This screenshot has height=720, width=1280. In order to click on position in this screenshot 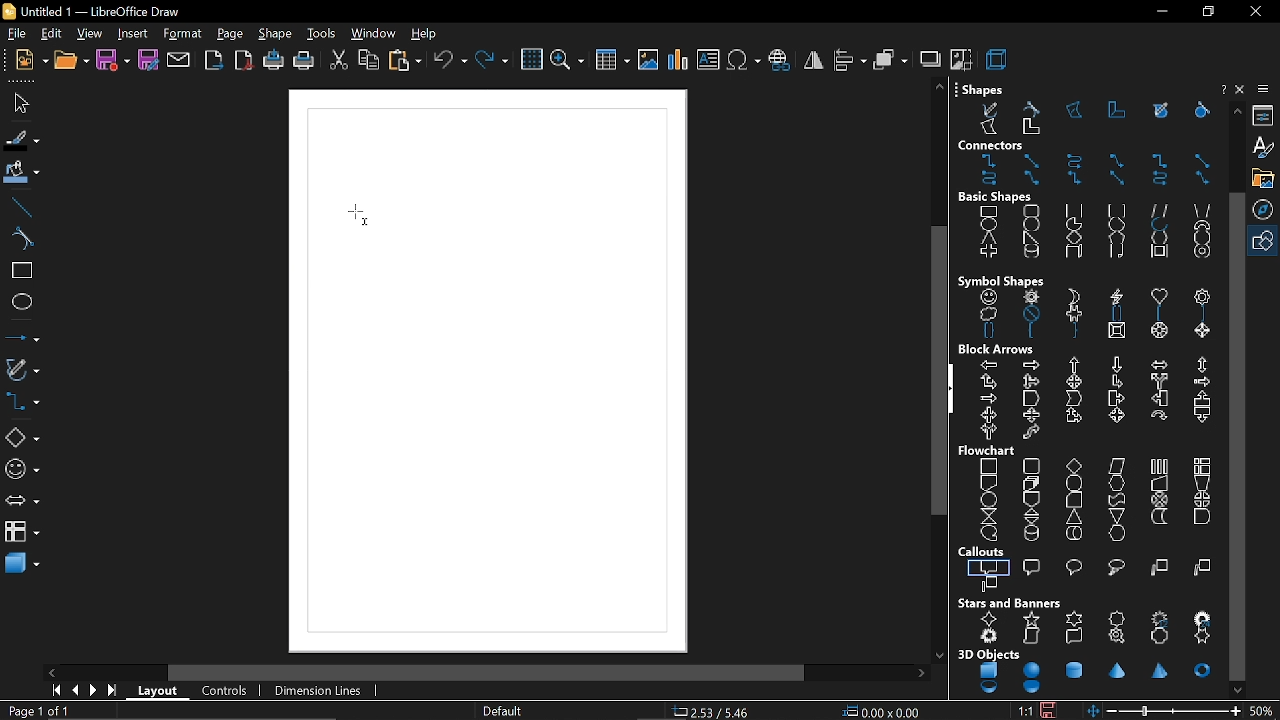, I will do `click(881, 712)`.